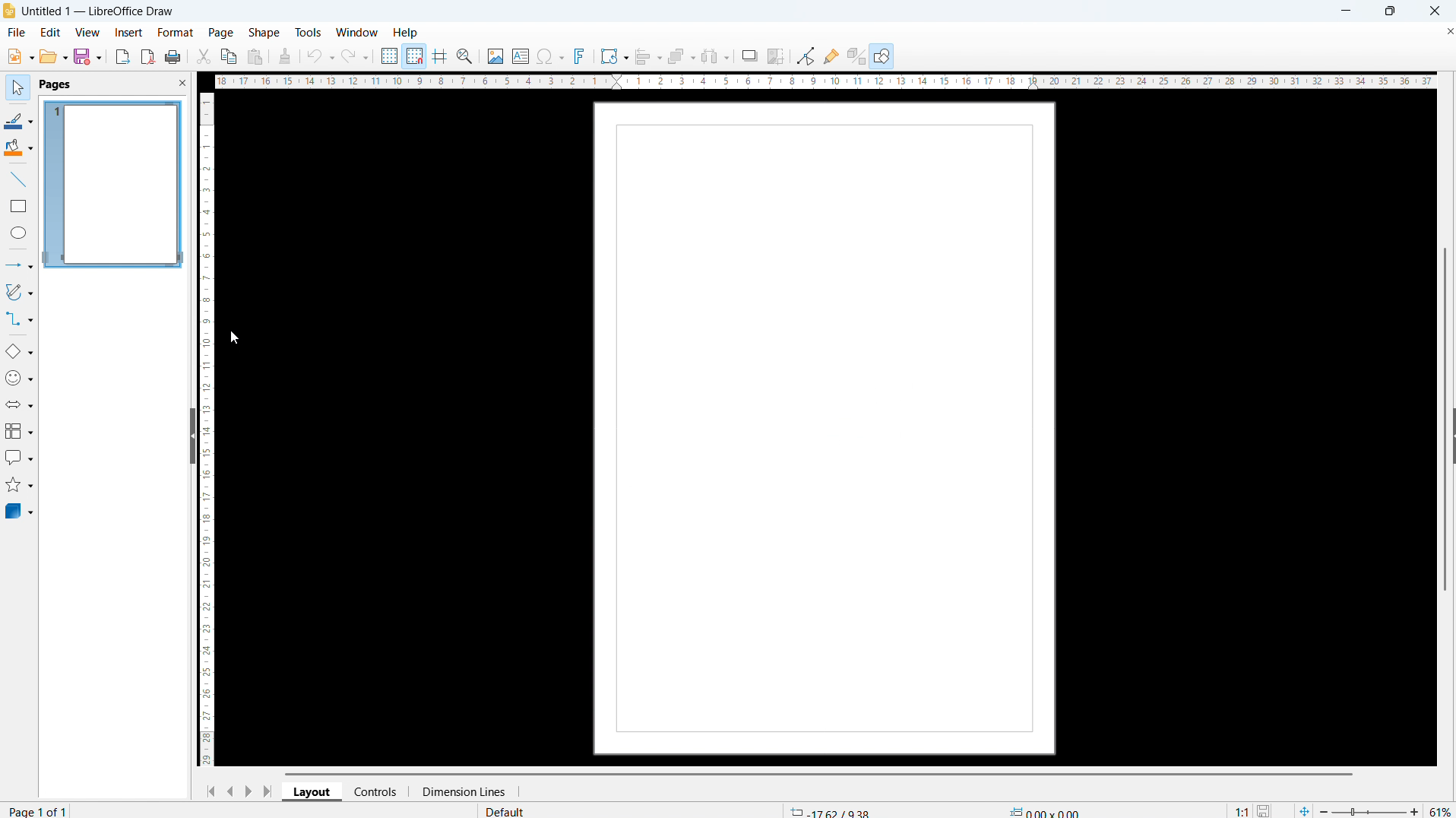 The width and height of the screenshot is (1456, 818). What do you see at coordinates (19, 293) in the screenshot?
I see `curves and polygons` at bounding box center [19, 293].